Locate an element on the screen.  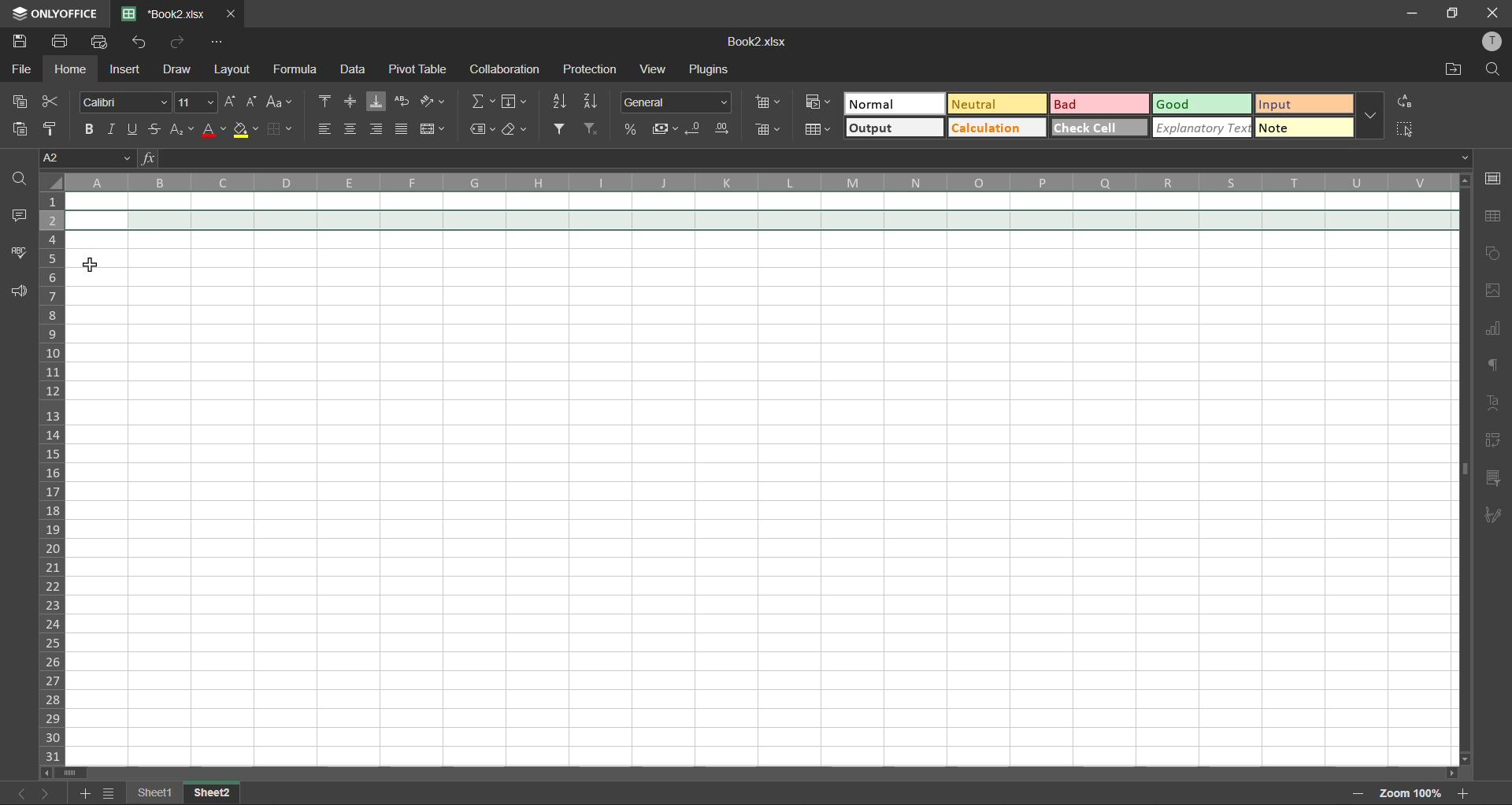
file is located at coordinates (22, 68).